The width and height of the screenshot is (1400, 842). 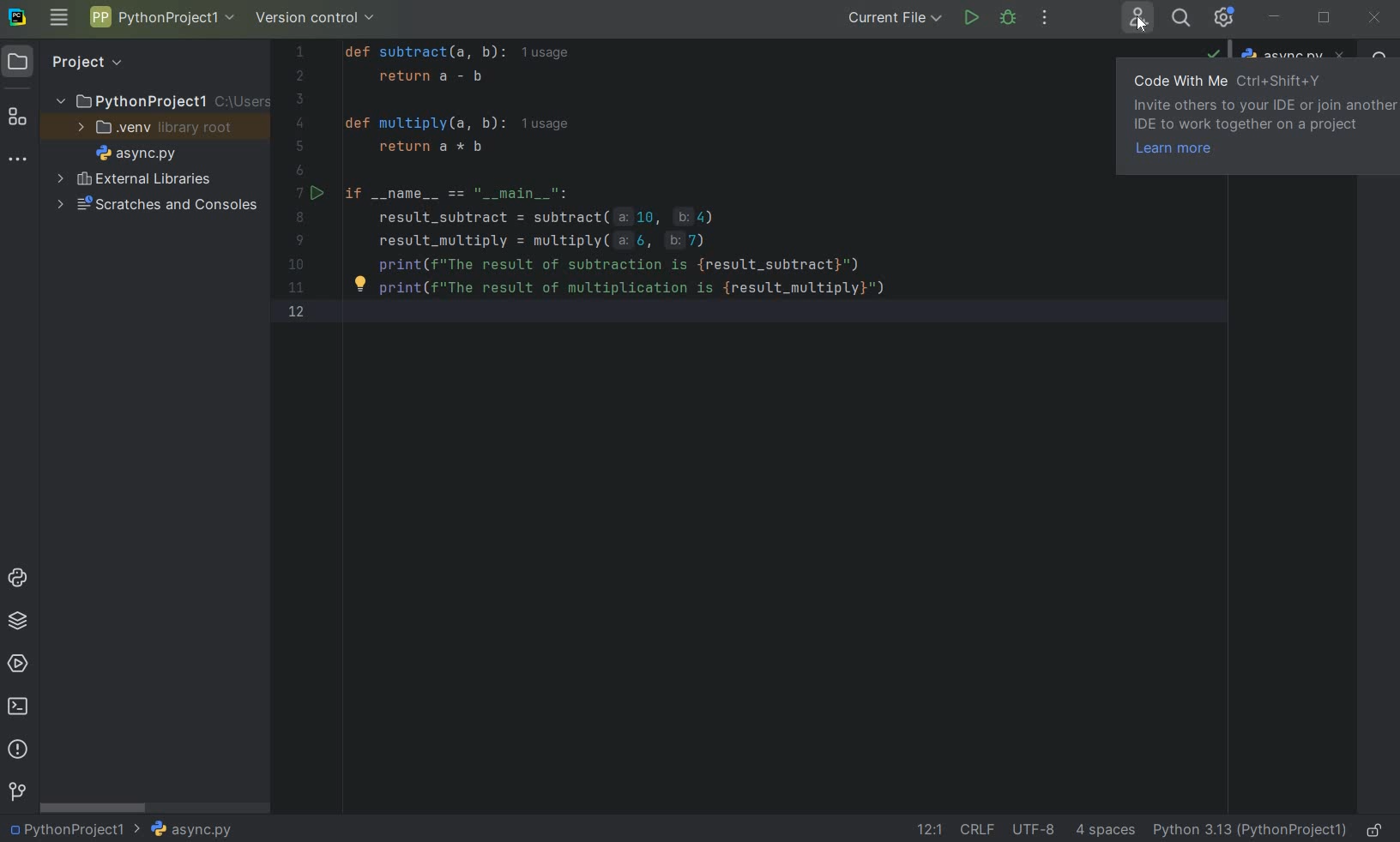 What do you see at coordinates (20, 581) in the screenshot?
I see `PYTHON CONSOLE` at bounding box center [20, 581].